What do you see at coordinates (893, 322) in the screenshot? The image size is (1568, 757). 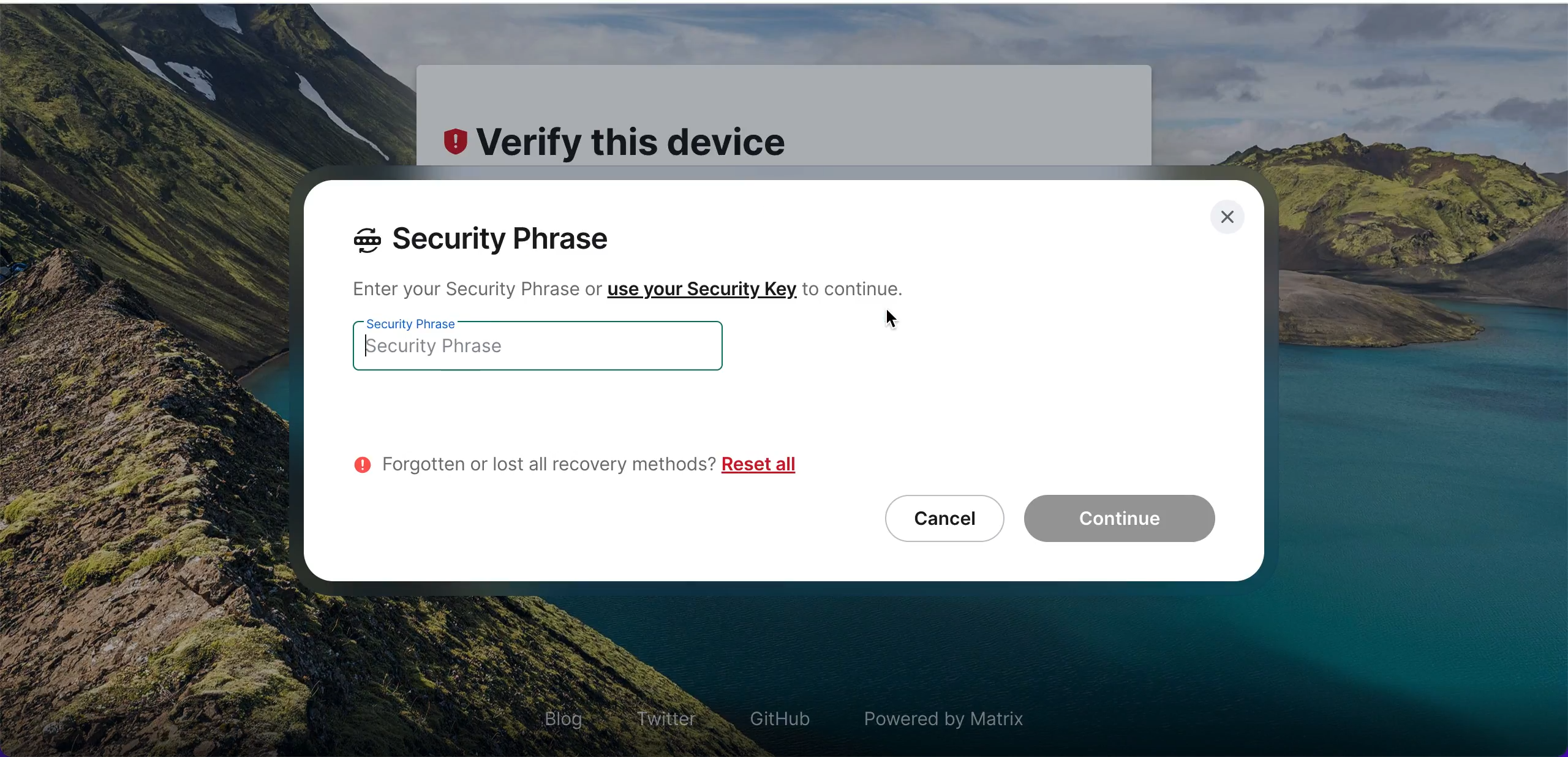 I see `cursor` at bounding box center [893, 322].